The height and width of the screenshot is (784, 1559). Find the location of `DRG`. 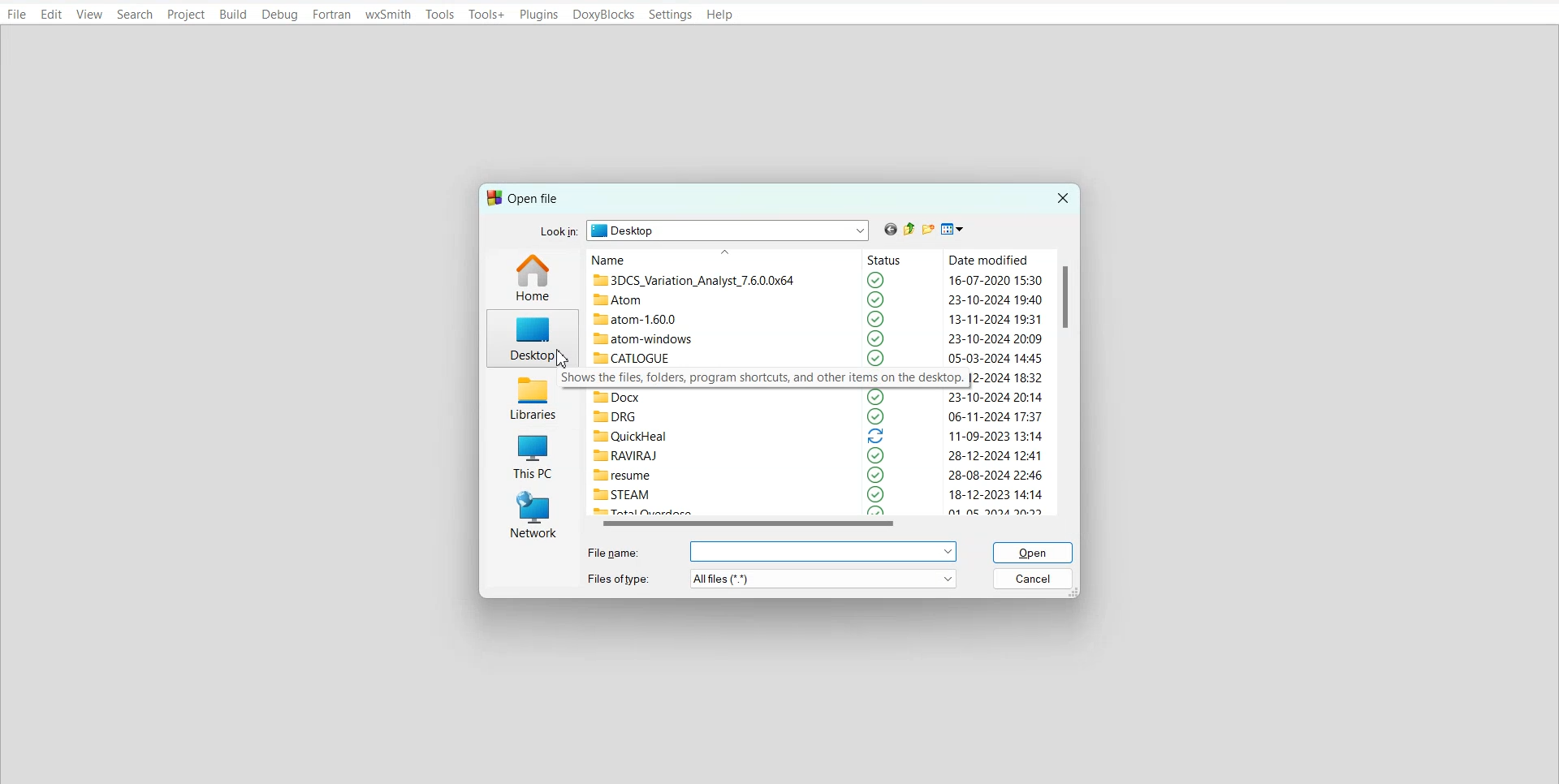

DRG is located at coordinates (614, 417).